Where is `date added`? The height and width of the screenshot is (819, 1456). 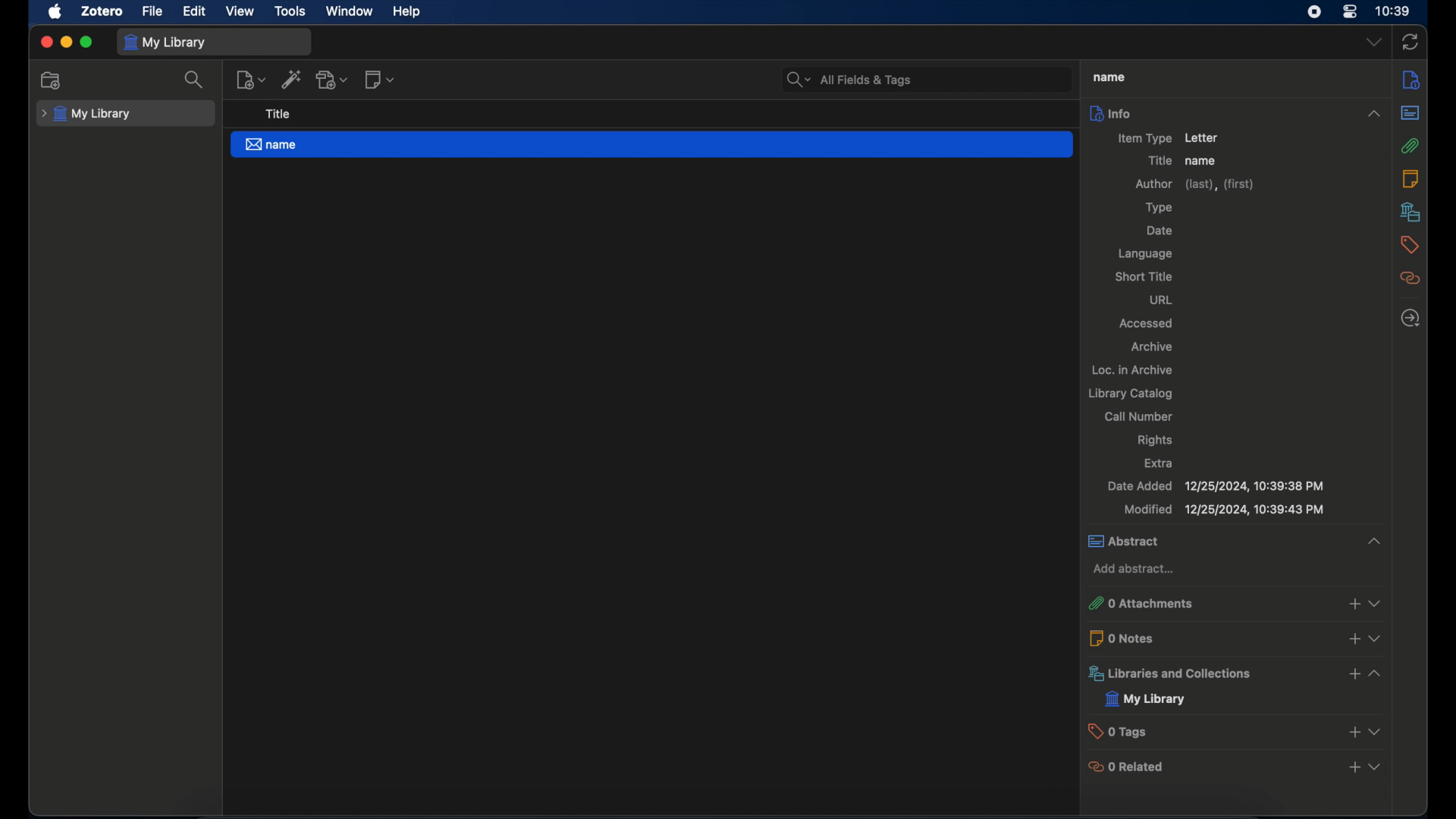 date added is located at coordinates (1216, 485).